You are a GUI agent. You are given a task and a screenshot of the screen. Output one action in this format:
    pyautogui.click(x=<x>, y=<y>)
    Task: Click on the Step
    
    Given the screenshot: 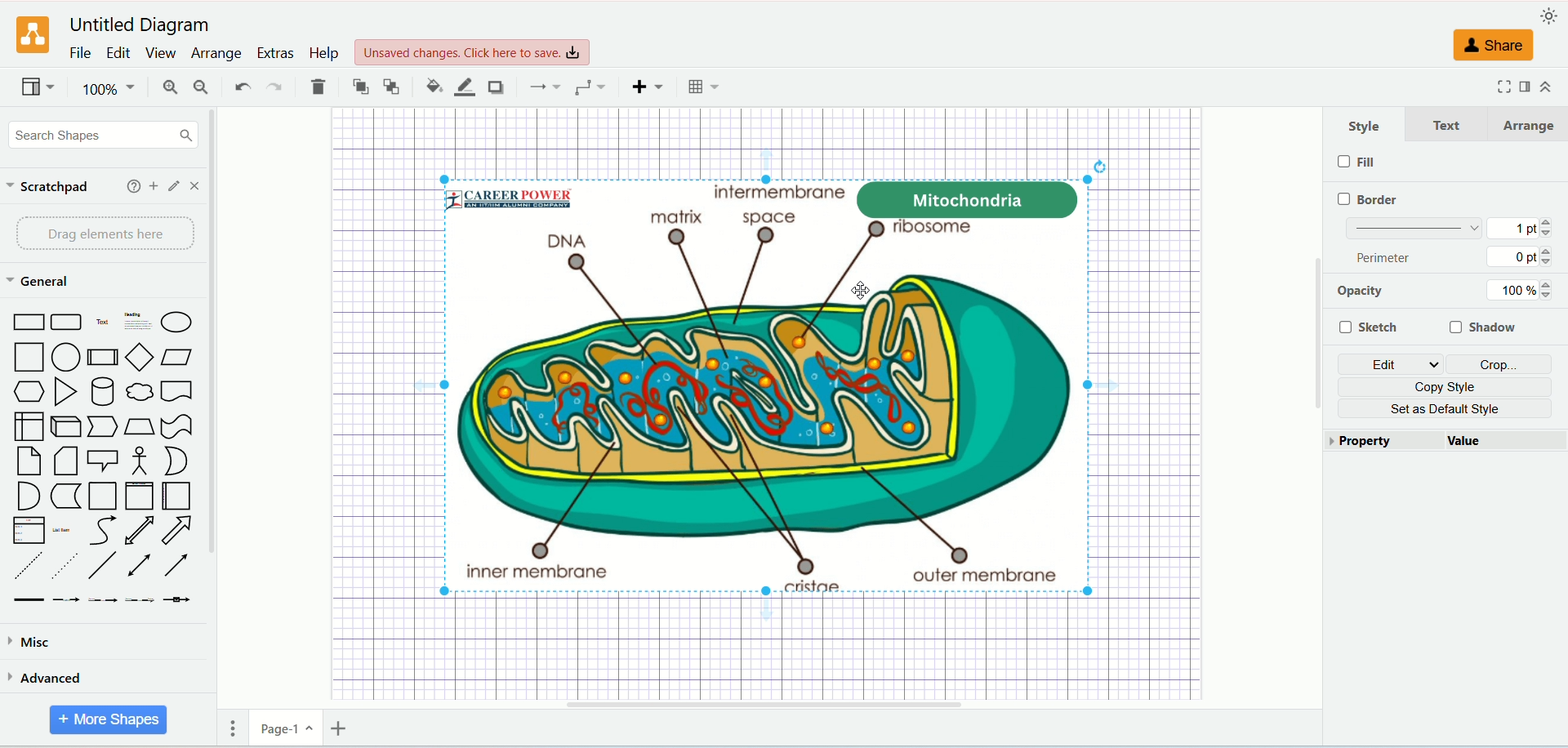 What is the action you would take?
    pyautogui.click(x=103, y=427)
    